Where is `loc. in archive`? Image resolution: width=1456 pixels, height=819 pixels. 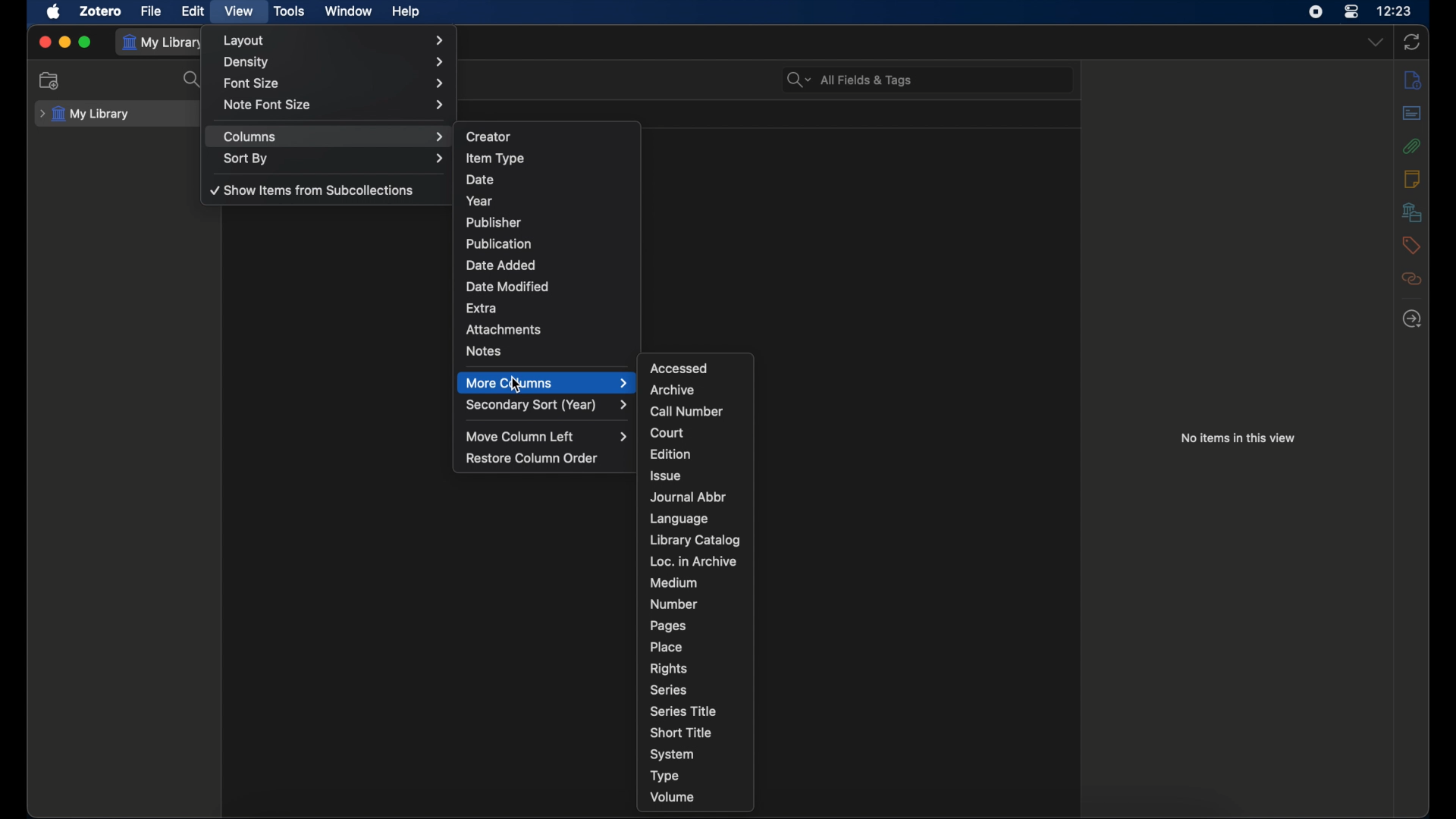 loc. in archive is located at coordinates (692, 562).